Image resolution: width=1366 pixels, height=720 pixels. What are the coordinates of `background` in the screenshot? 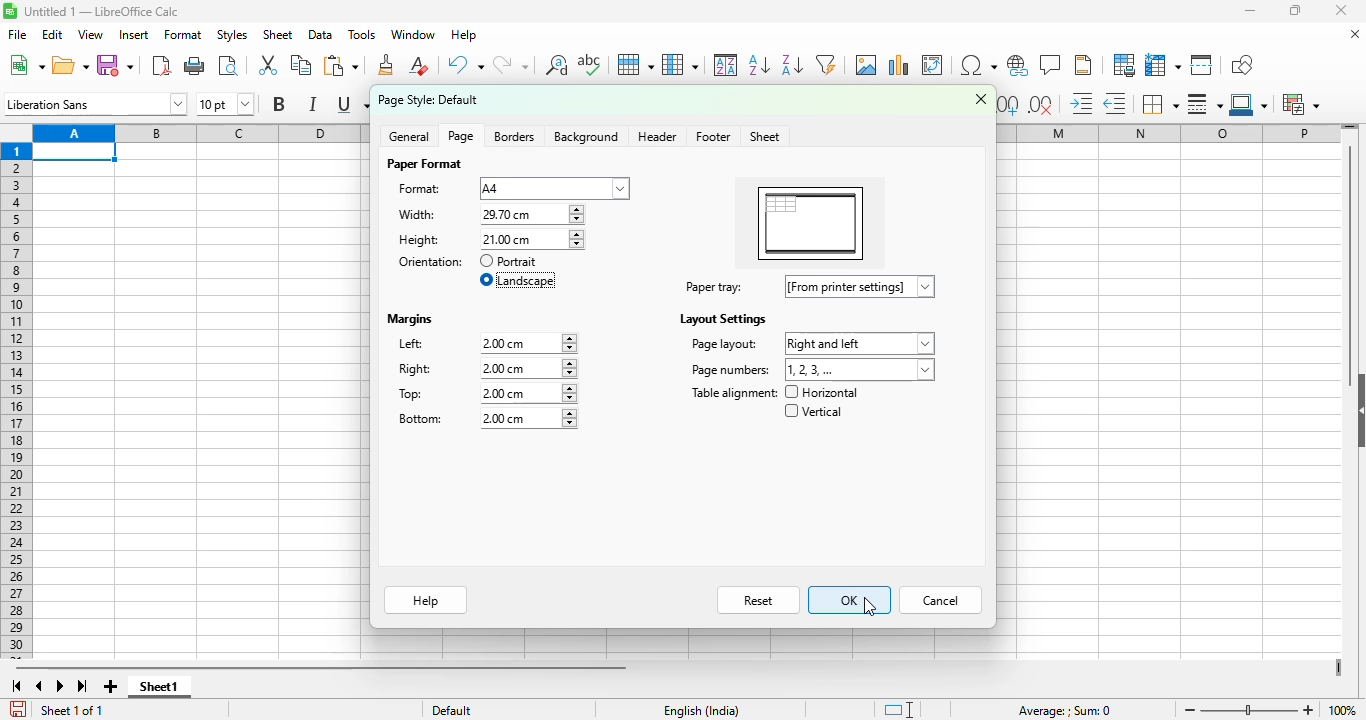 It's located at (588, 137).